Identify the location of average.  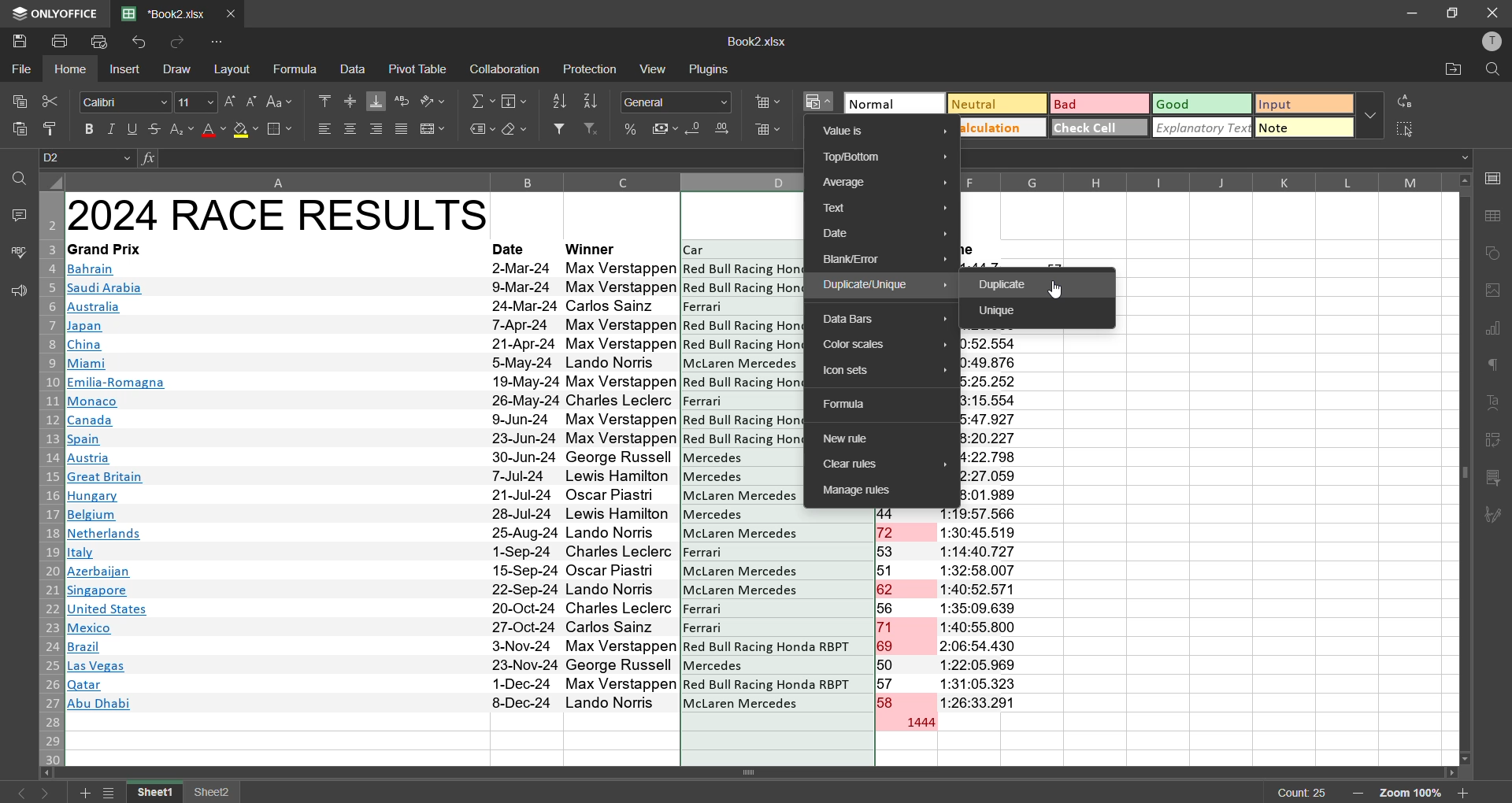
(884, 184).